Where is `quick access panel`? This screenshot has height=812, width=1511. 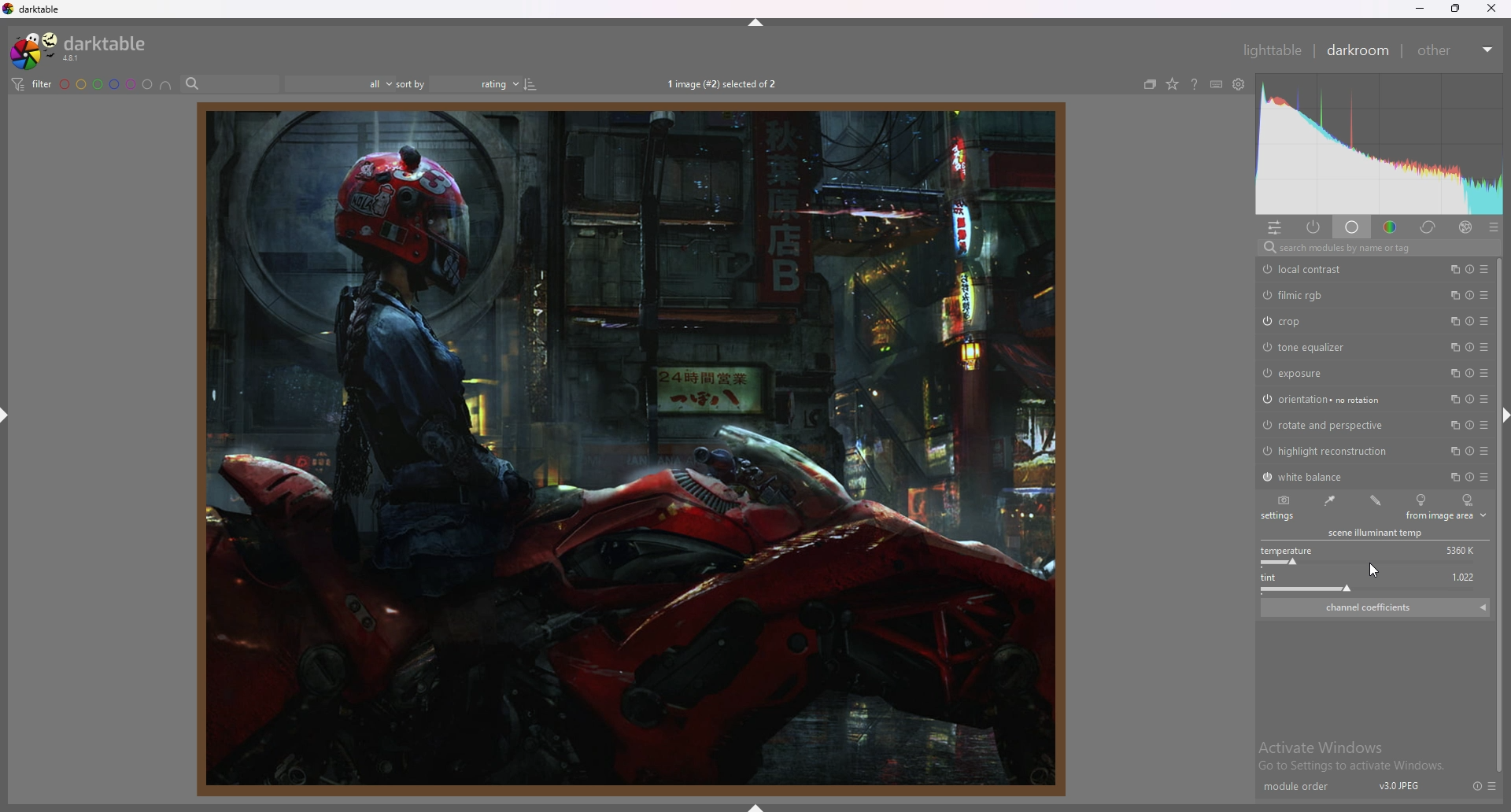
quick access panel is located at coordinates (1274, 227).